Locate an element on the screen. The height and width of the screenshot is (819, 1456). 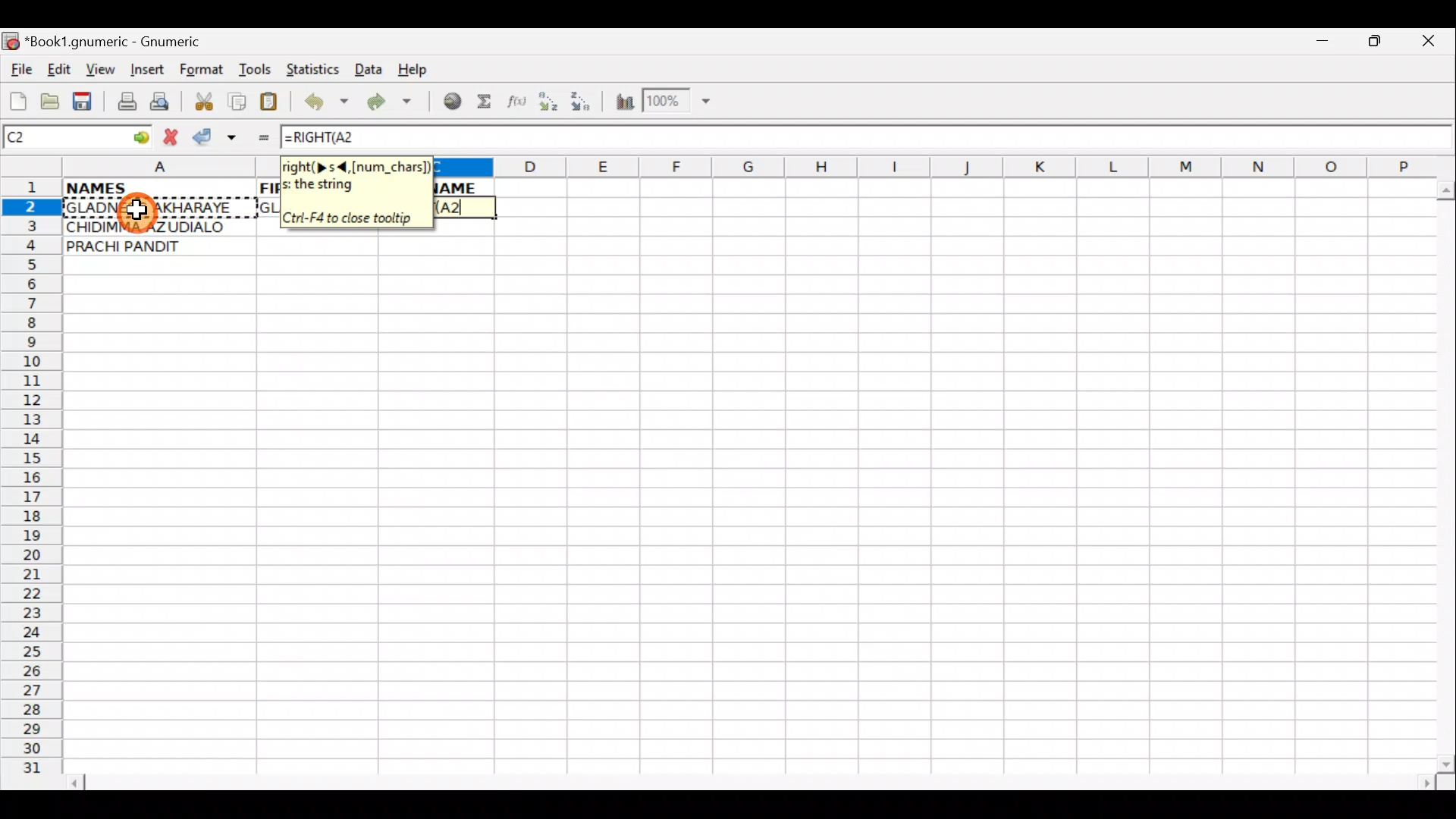
*Book1.gnumeric - Gnumeric is located at coordinates (127, 42).